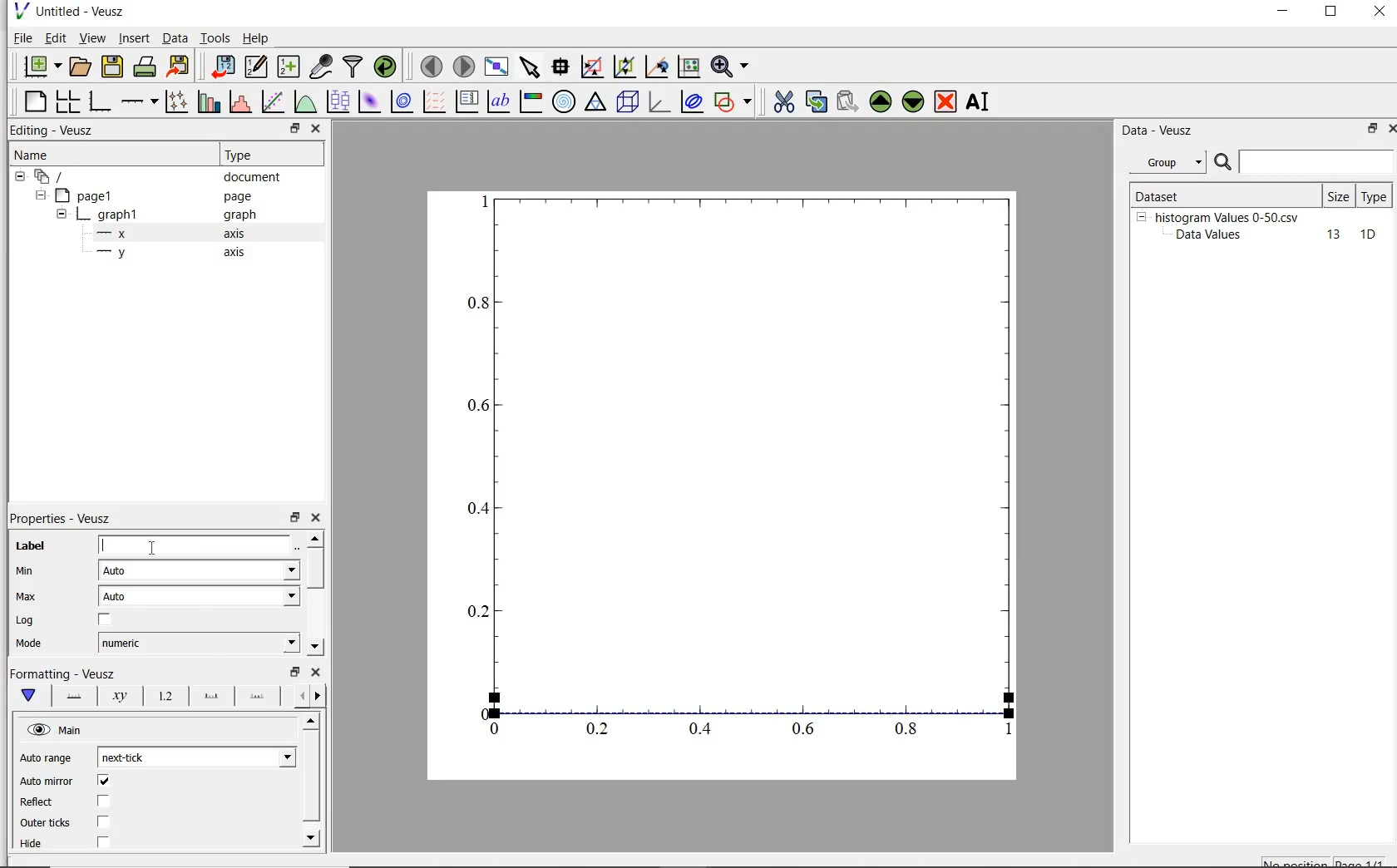  Describe the element at coordinates (913, 104) in the screenshot. I see `move down the selected widget` at that location.